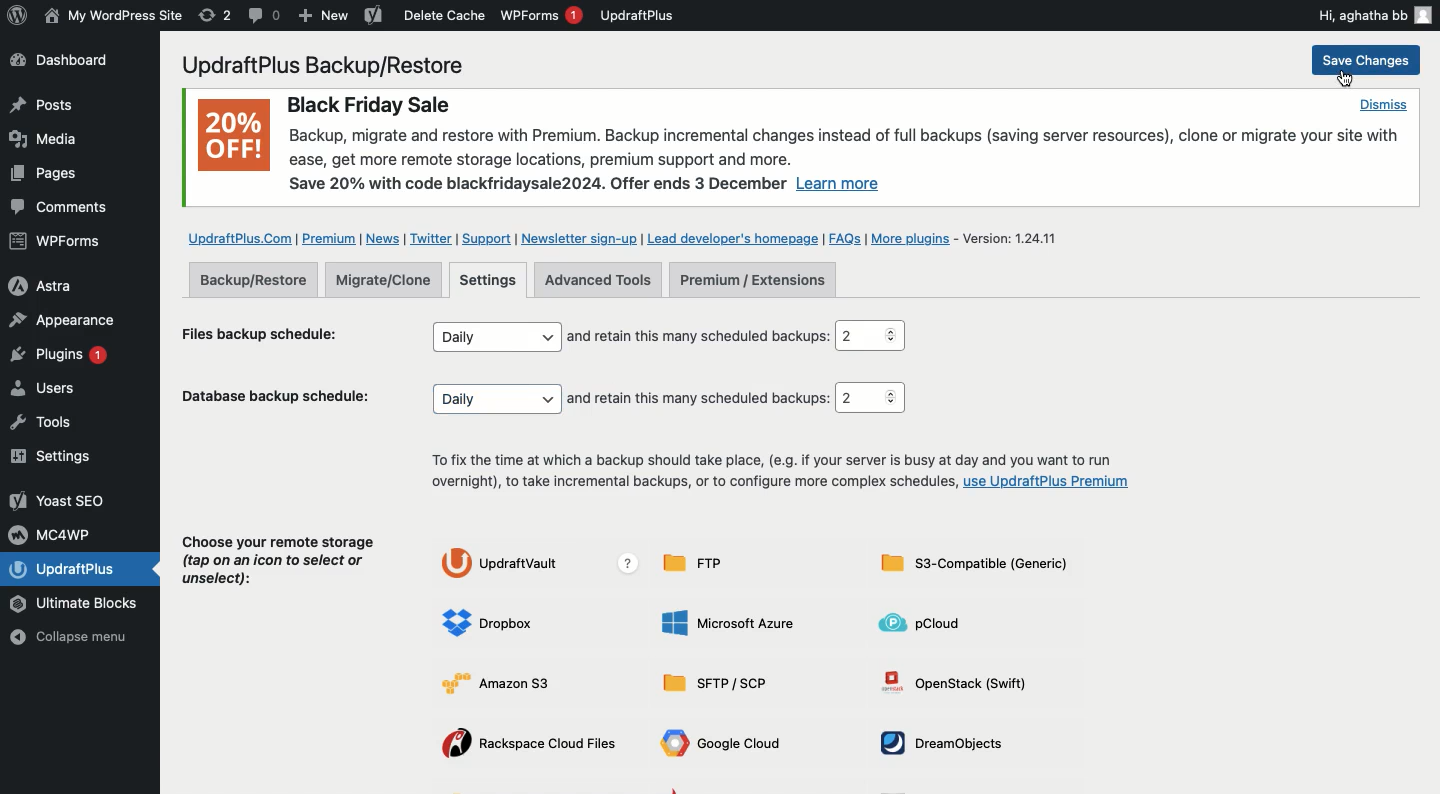 The height and width of the screenshot is (794, 1440). Describe the element at coordinates (1018, 237) in the screenshot. I see `Version 1.24.11` at that location.